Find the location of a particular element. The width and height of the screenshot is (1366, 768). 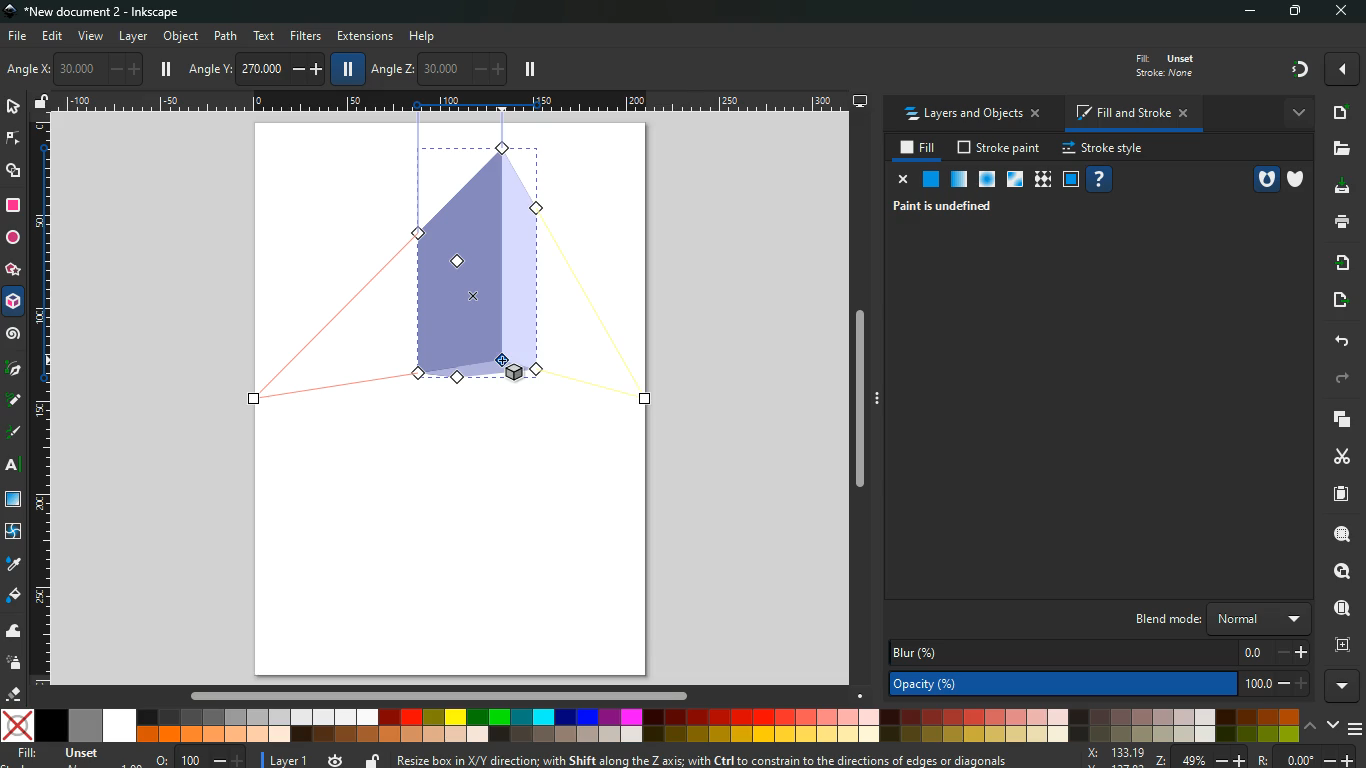

search is located at coordinates (1340, 534).